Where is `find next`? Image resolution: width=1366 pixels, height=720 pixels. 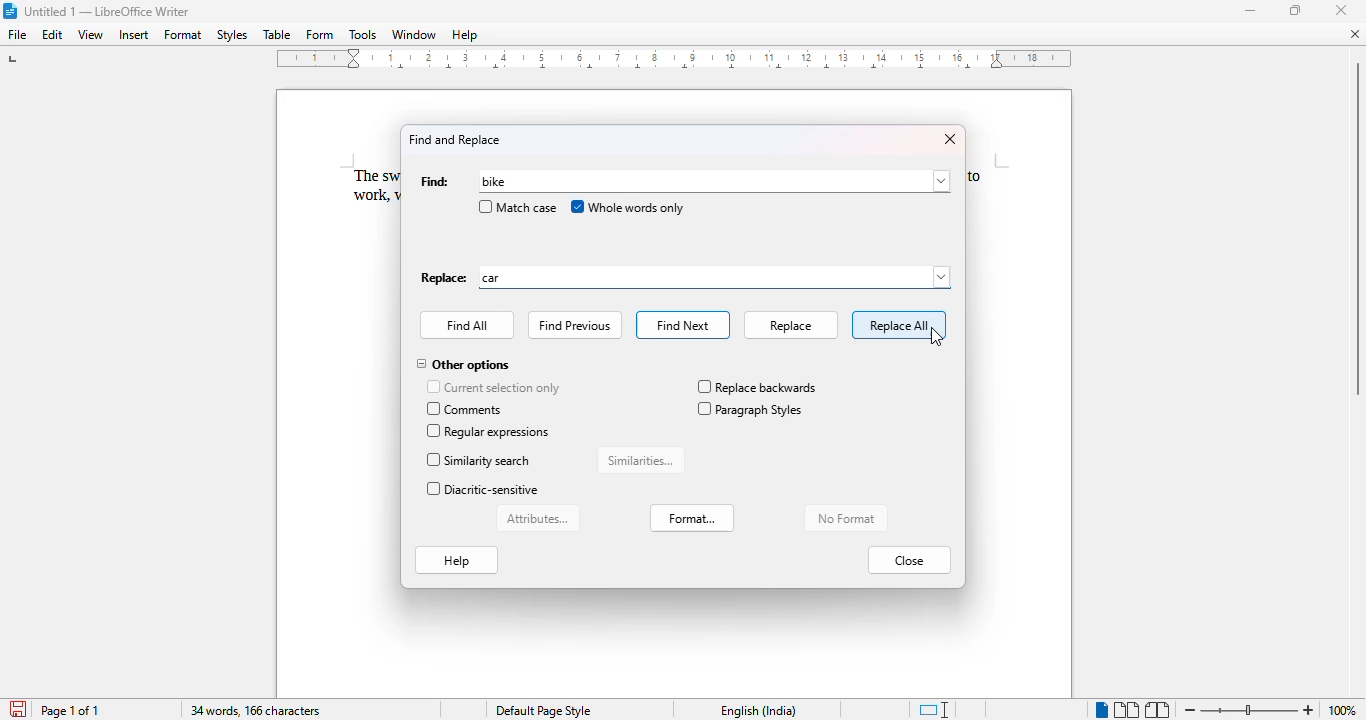
find next is located at coordinates (682, 325).